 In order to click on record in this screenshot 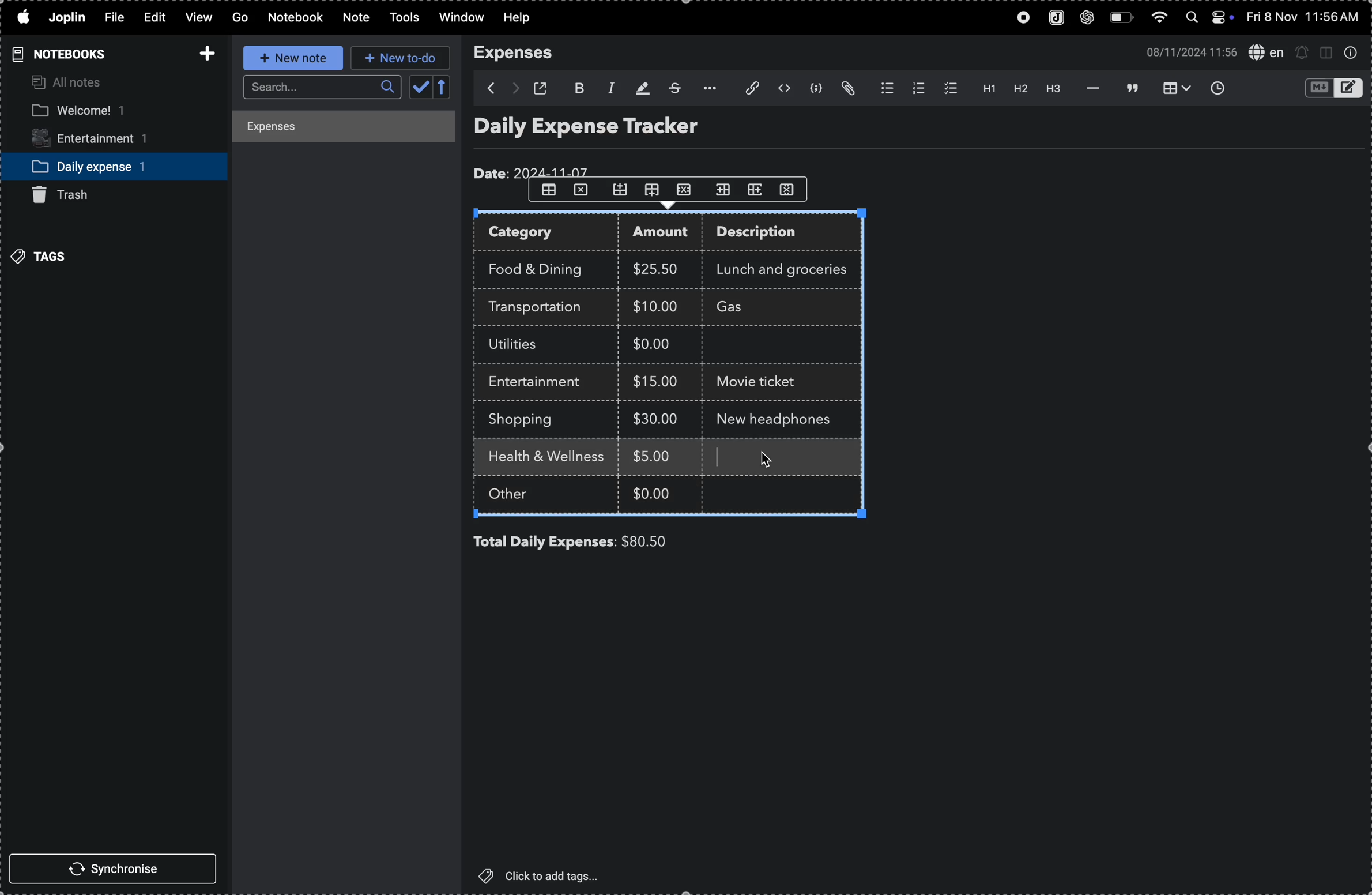, I will do `click(1019, 18)`.